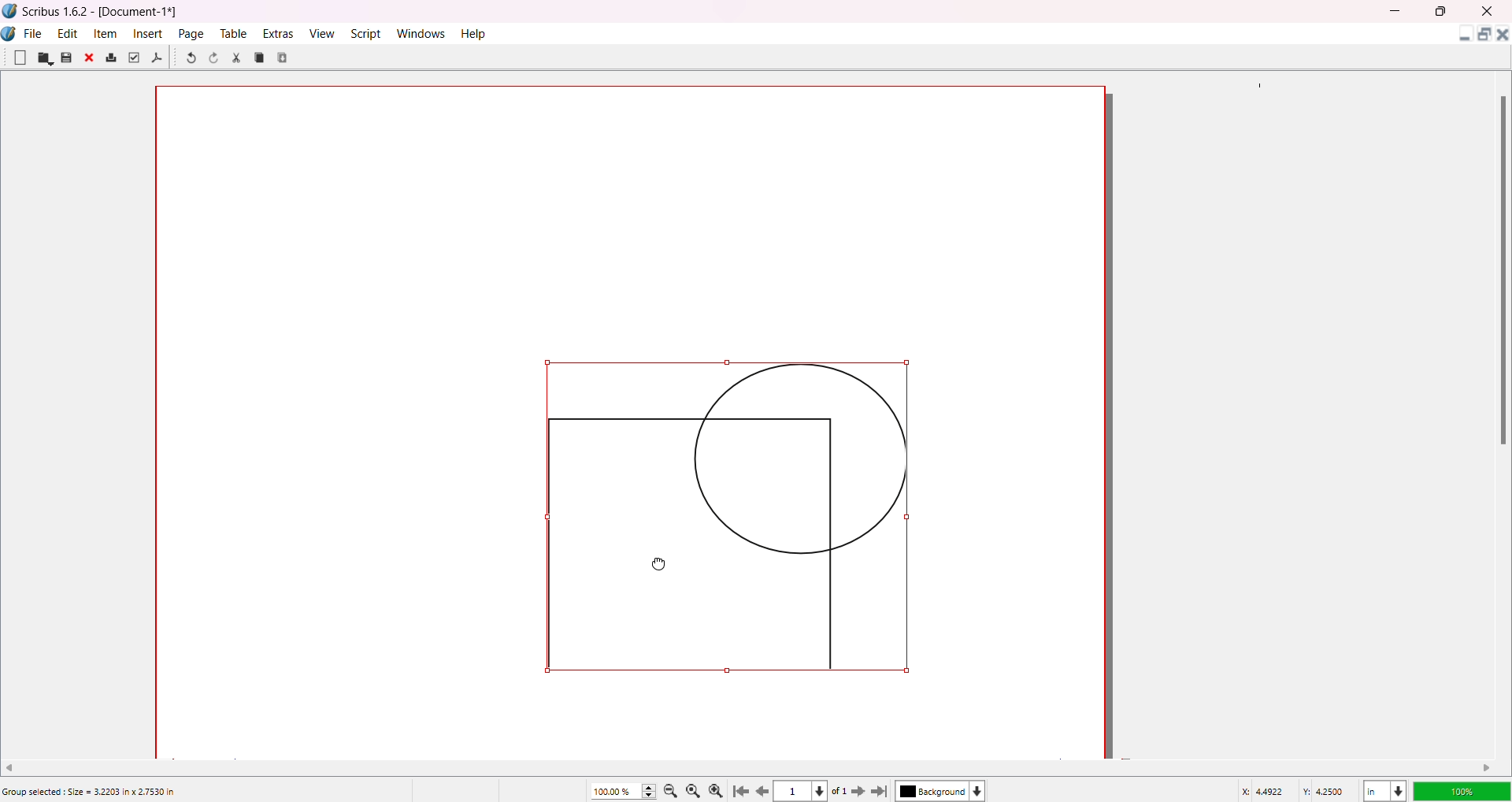  What do you see at coordinates (11, 34) in the screenshot?
I see `Logo` at bounding box center [11, 34].